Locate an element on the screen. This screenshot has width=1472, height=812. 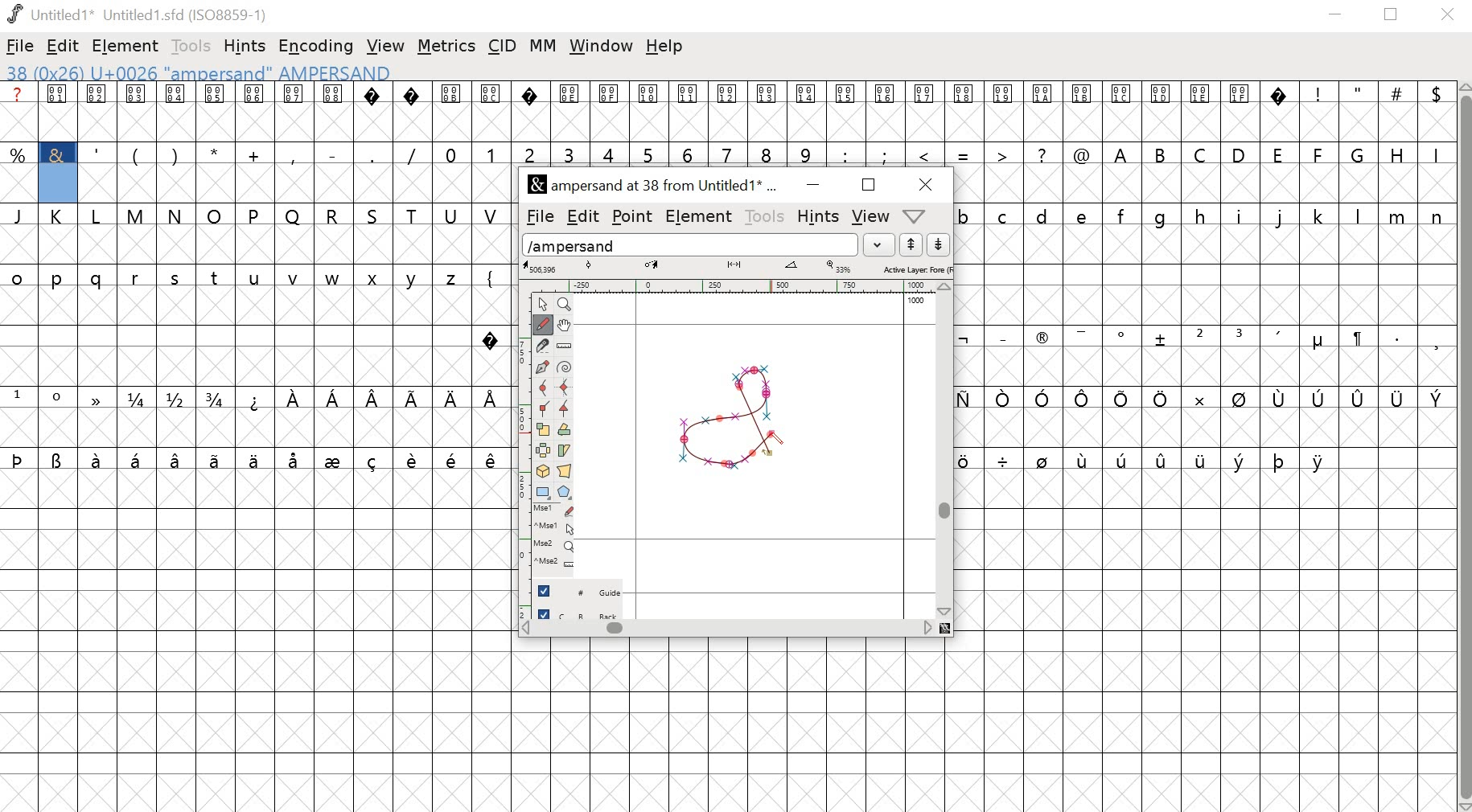
HINTS is located at coordinates (817, 218).